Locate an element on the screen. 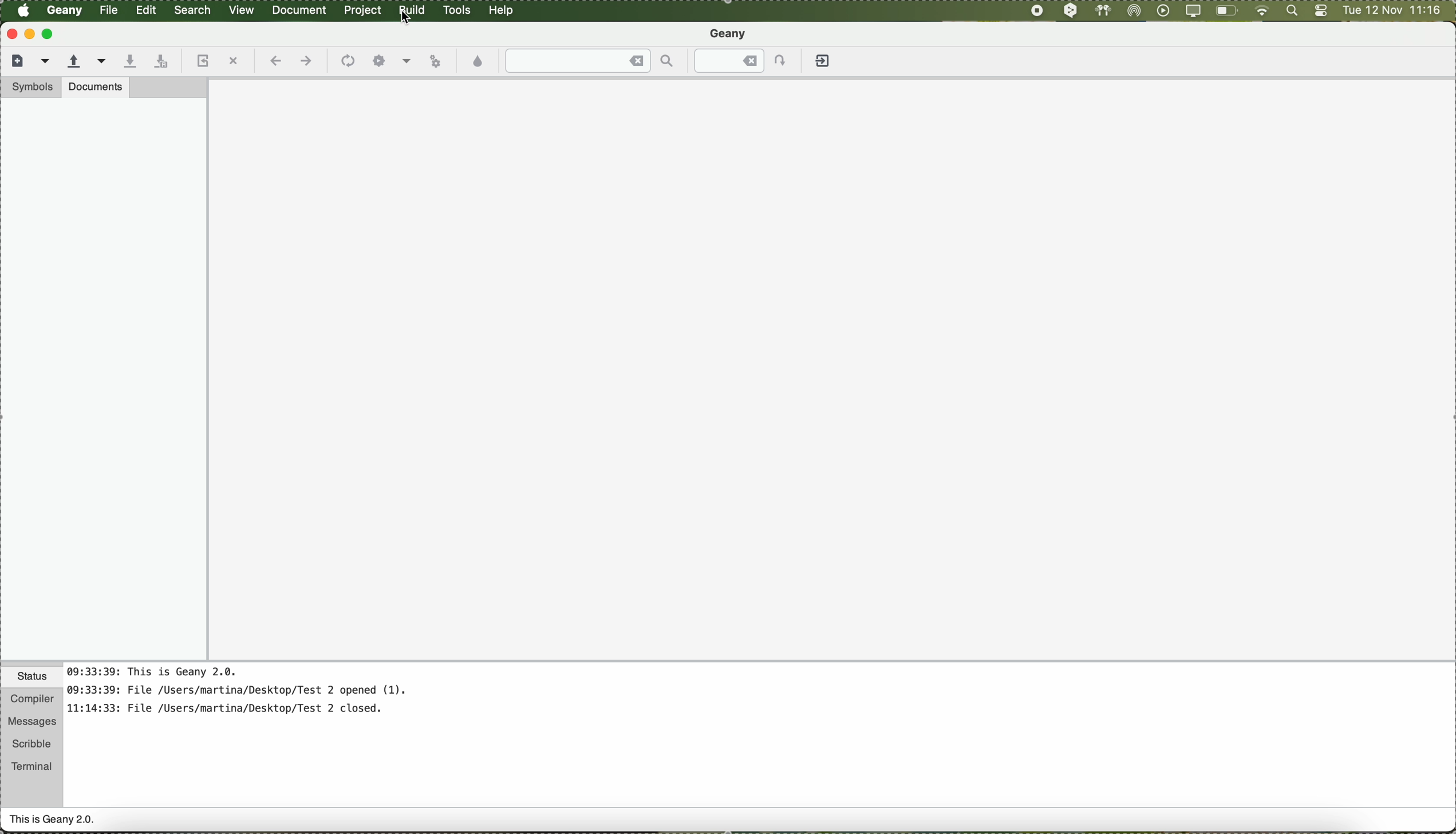  play is located at coordinates (1161, 10).